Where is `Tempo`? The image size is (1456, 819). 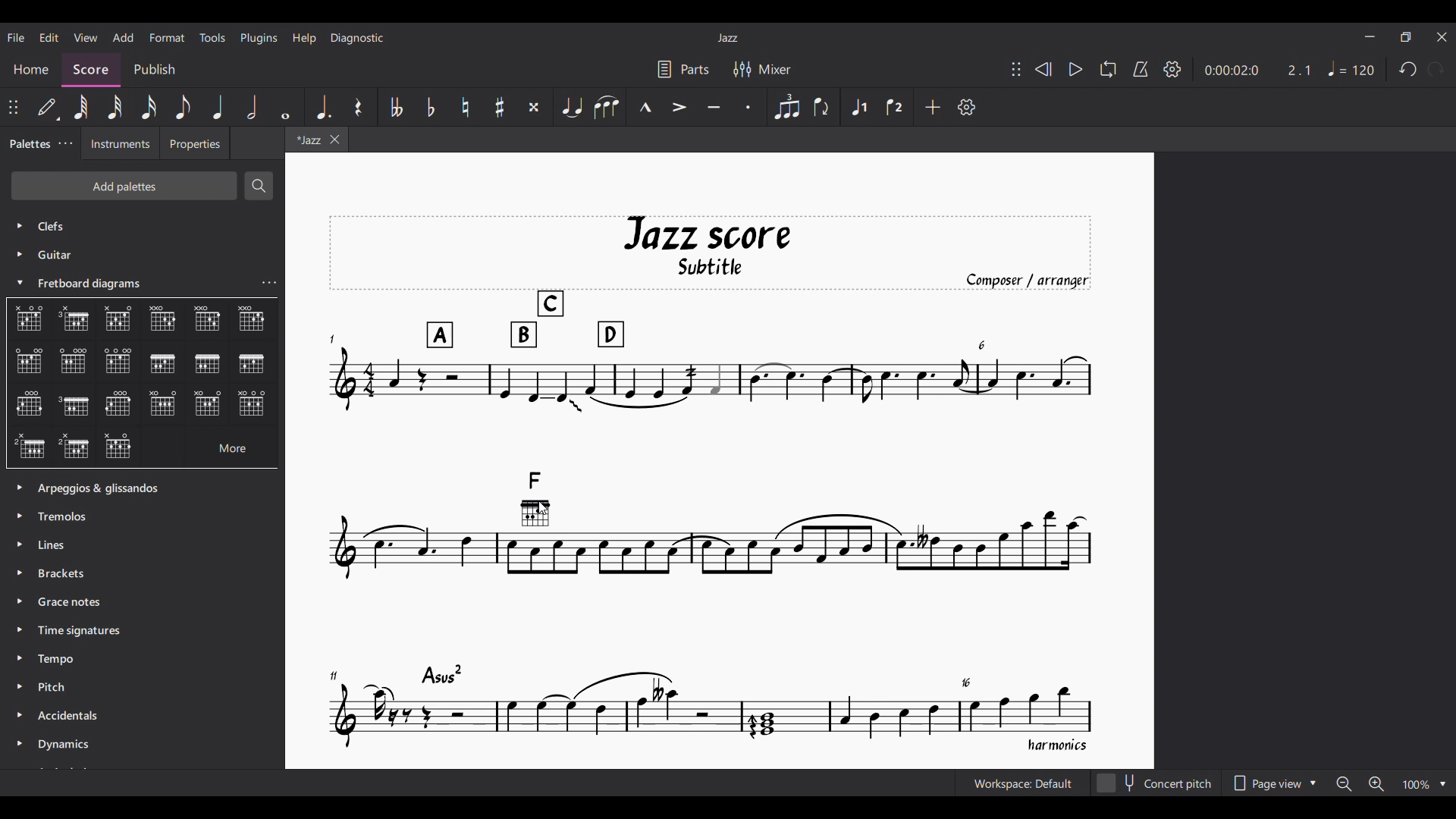 Tempo is located at coordinates (63, 661).